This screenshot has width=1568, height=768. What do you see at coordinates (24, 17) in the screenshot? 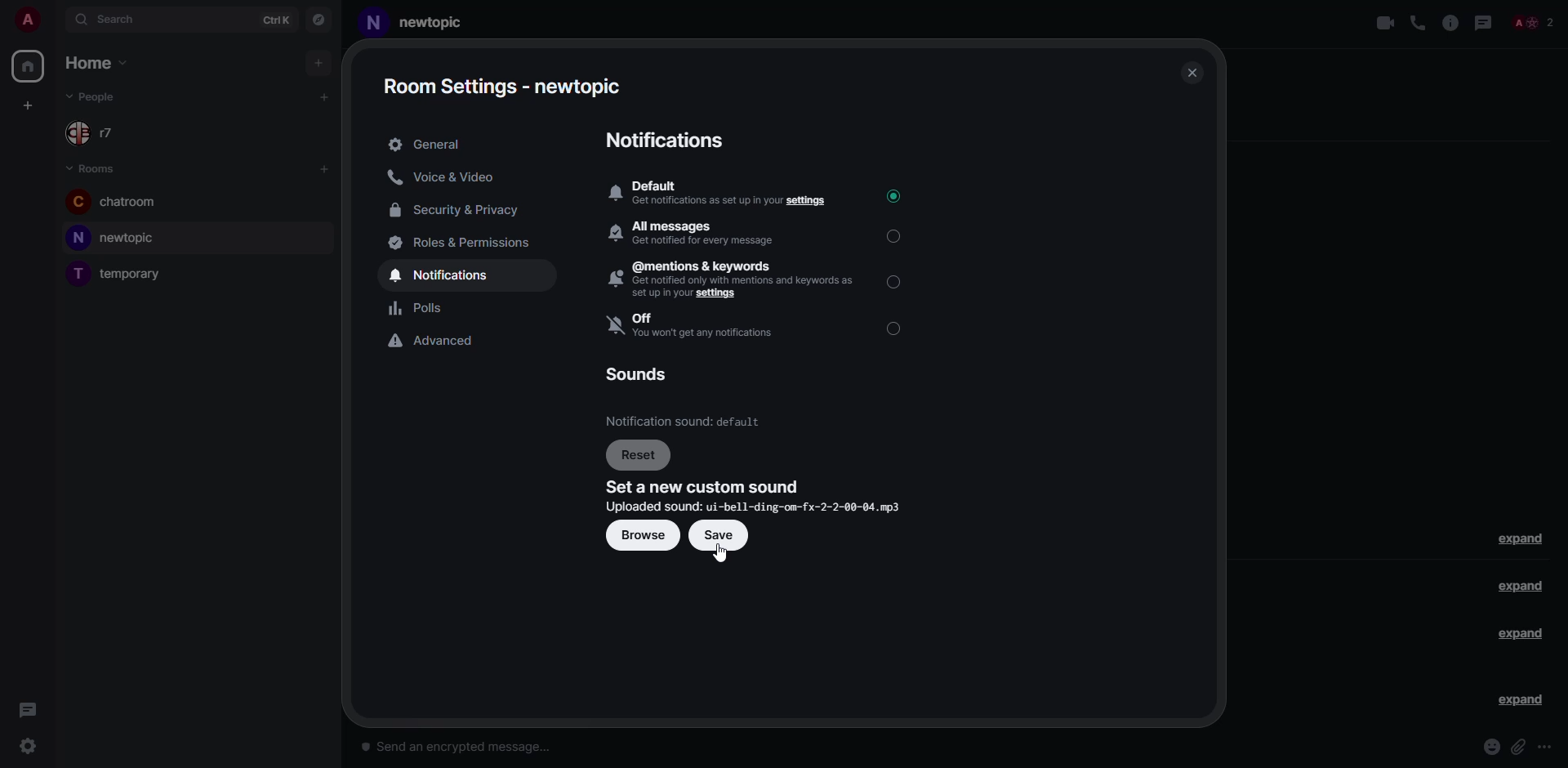
I see `profile` at bounding box center [24, 17].